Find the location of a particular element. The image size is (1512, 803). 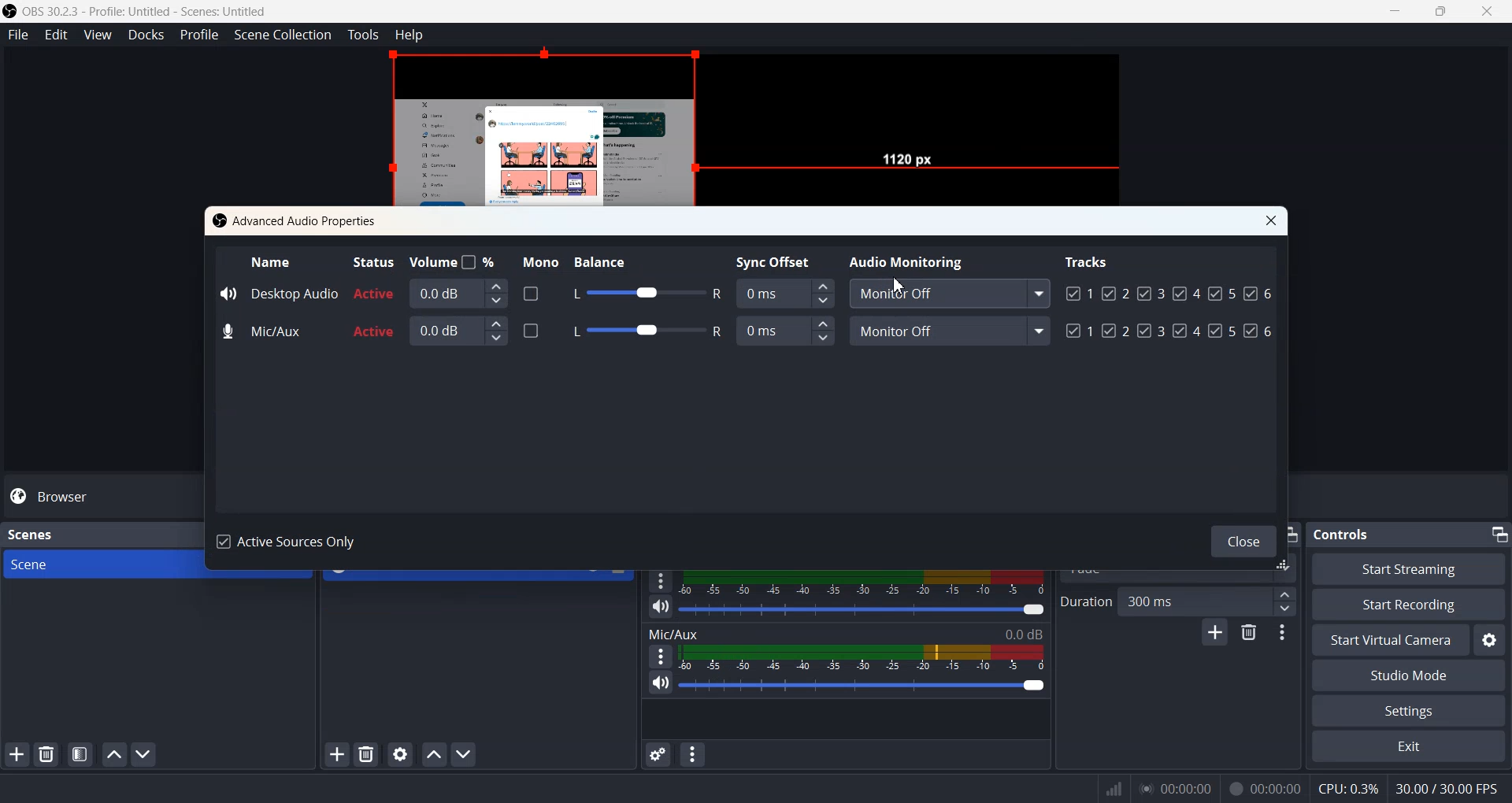

Desktop Audio  is located at coordinates (278, 292).